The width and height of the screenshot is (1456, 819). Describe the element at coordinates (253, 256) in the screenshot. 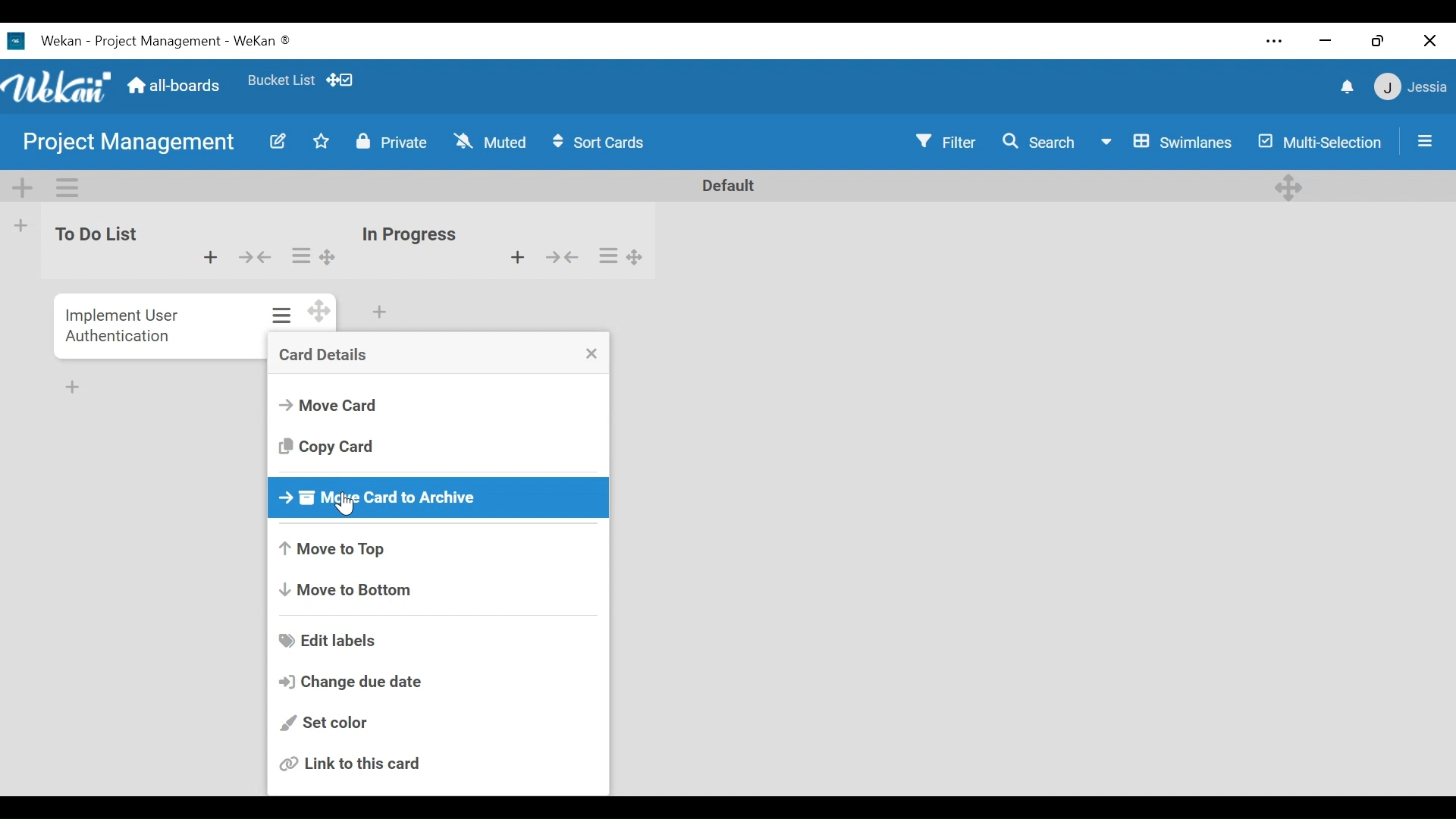

I see `hide/show` at that location.